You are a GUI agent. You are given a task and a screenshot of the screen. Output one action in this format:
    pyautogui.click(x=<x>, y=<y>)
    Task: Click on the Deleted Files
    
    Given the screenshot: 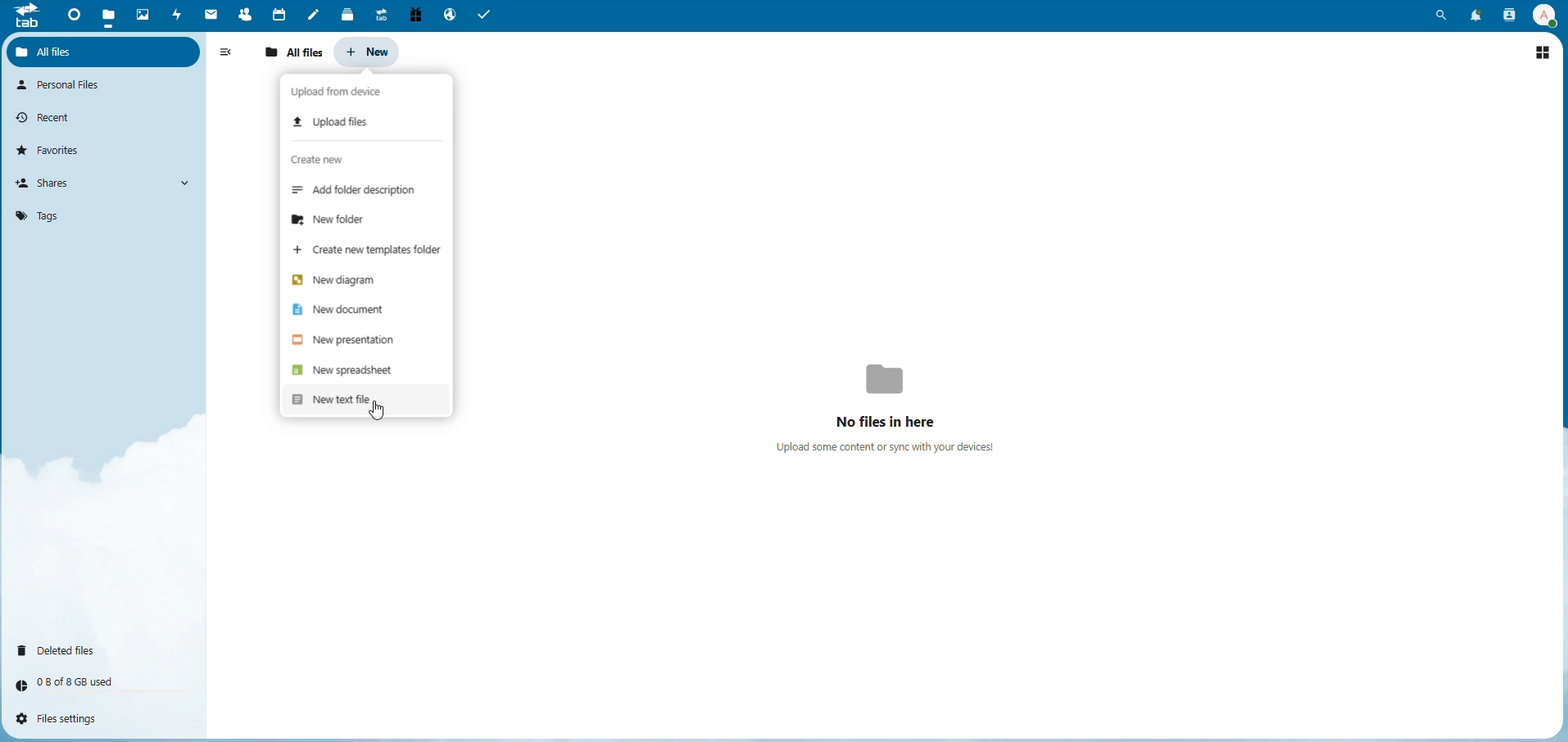 What is the action you would take?
    pyautogui.click(x=65, y=649)
    